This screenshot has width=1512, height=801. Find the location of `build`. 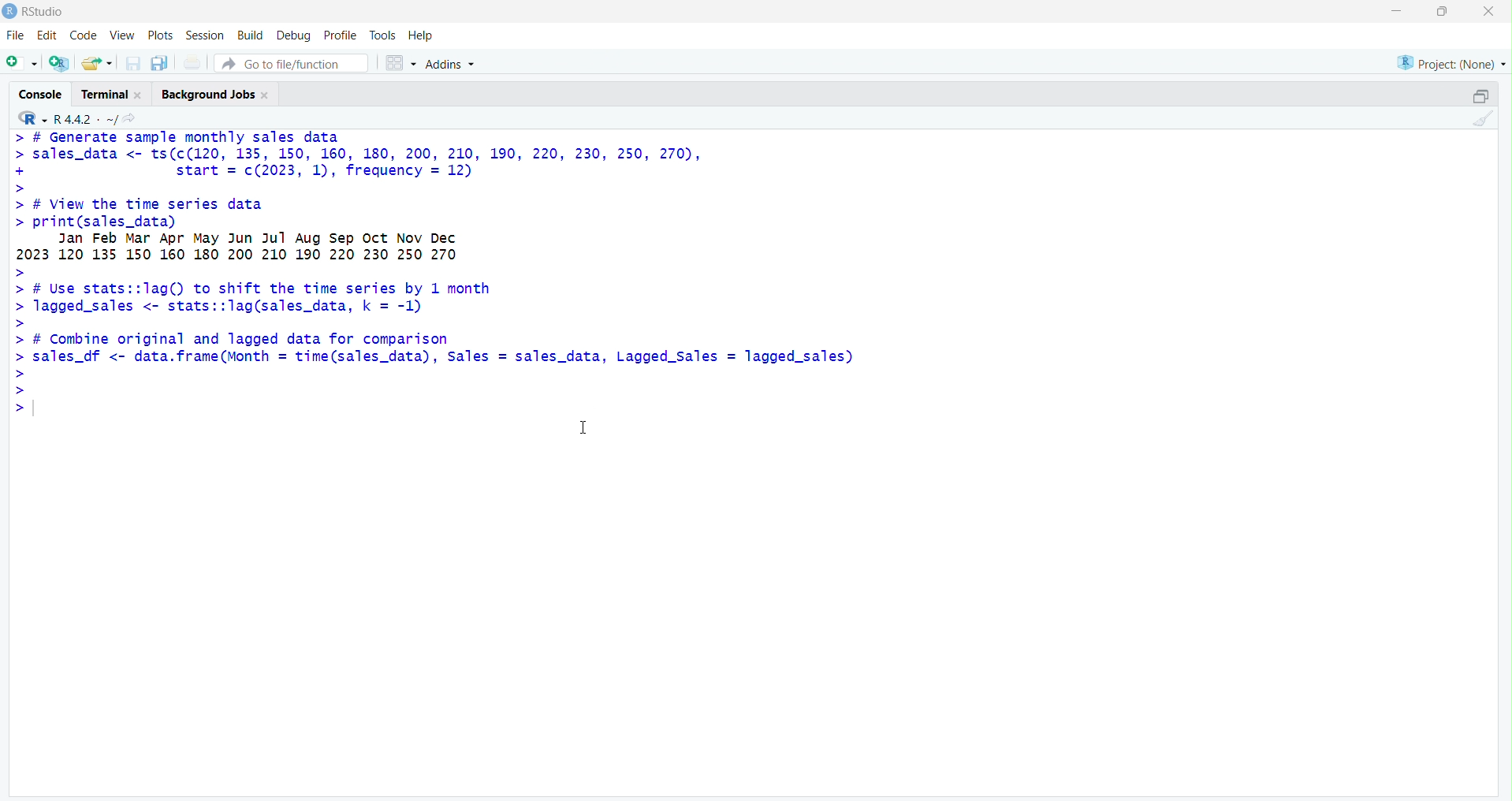

build is located at coordinates (251, 35).